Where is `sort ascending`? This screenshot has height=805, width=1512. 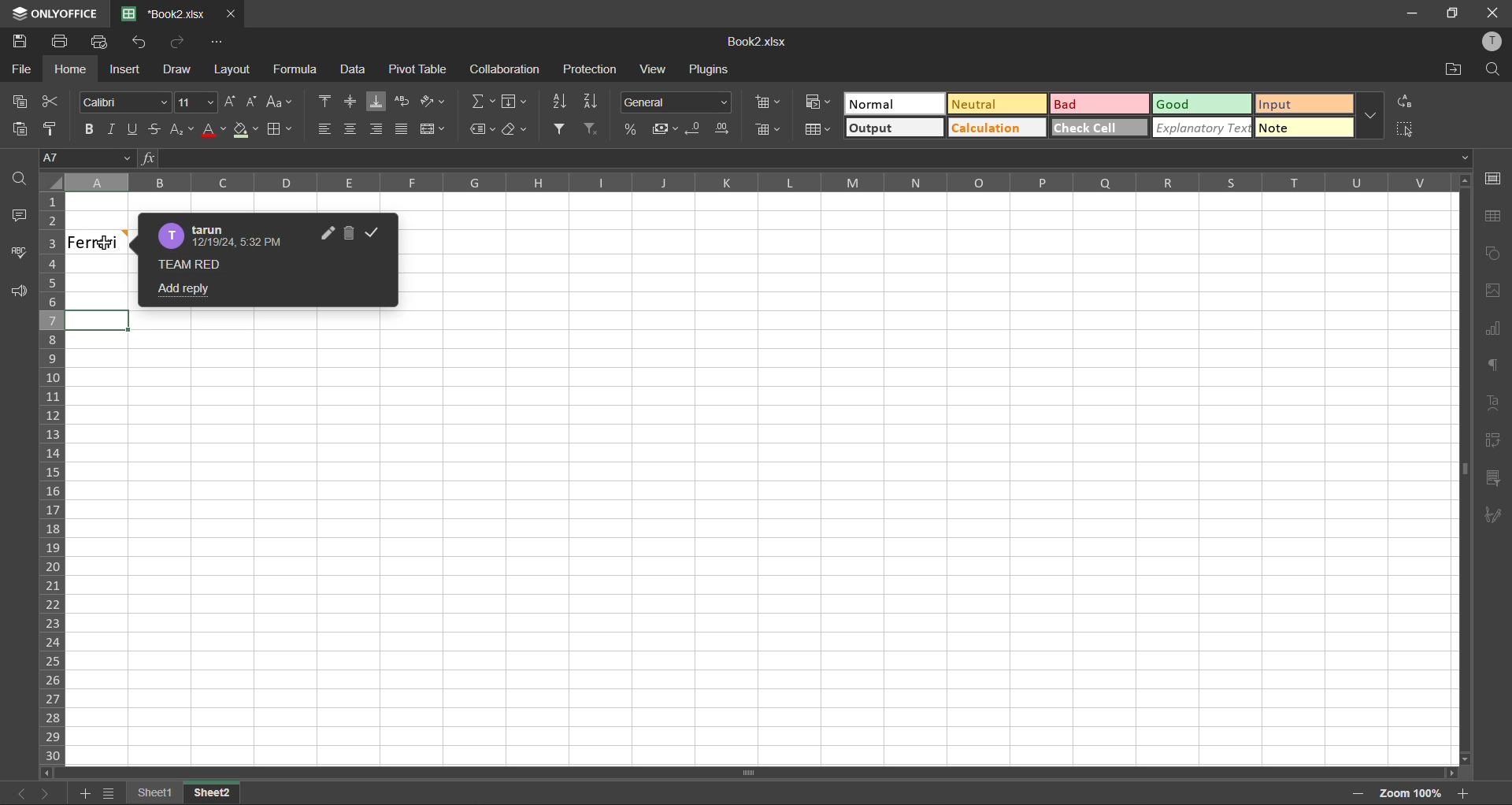
sort ascending is located at coordinates (559, 102).